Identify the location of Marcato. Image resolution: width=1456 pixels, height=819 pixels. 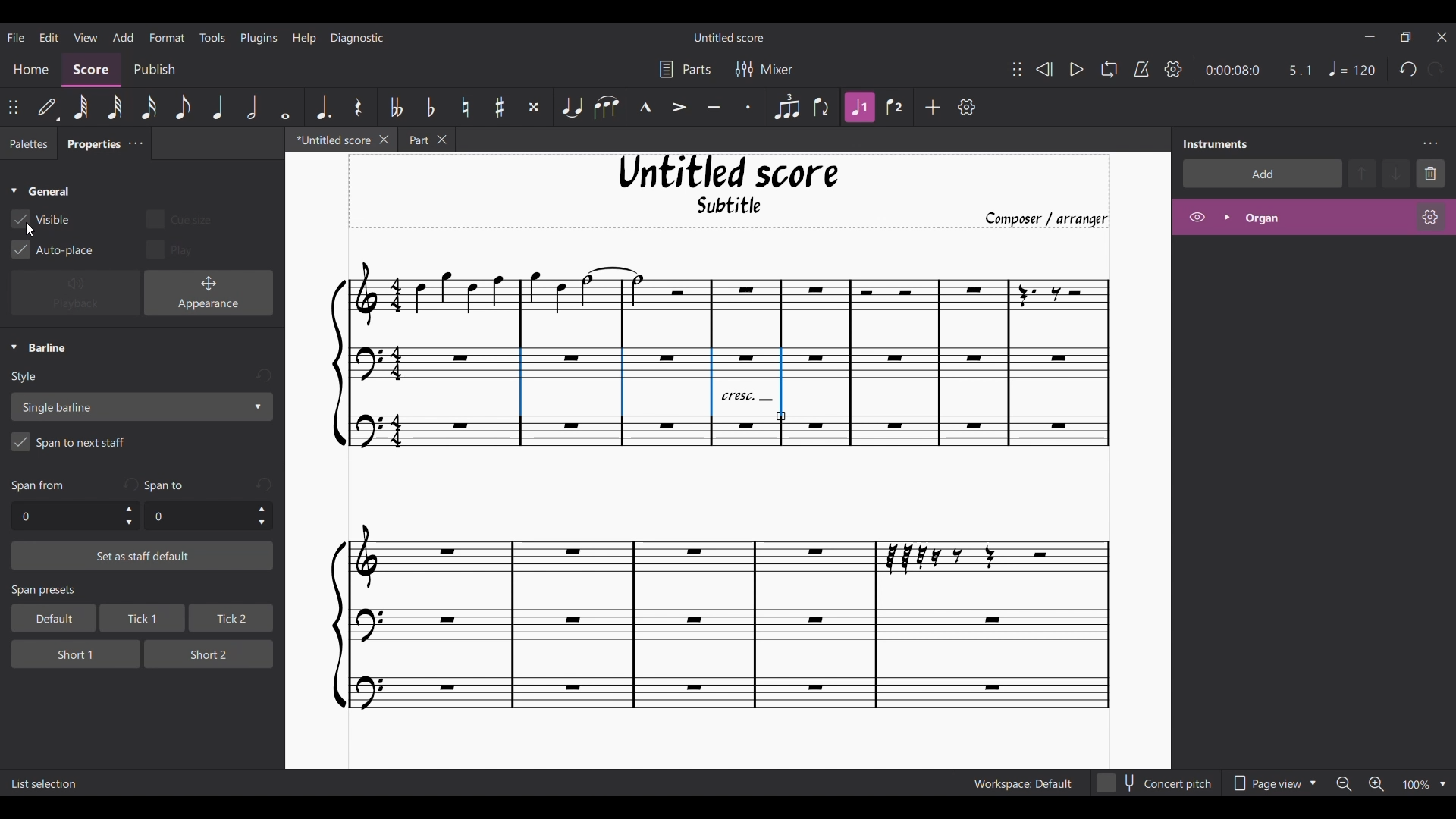
(645, 108).